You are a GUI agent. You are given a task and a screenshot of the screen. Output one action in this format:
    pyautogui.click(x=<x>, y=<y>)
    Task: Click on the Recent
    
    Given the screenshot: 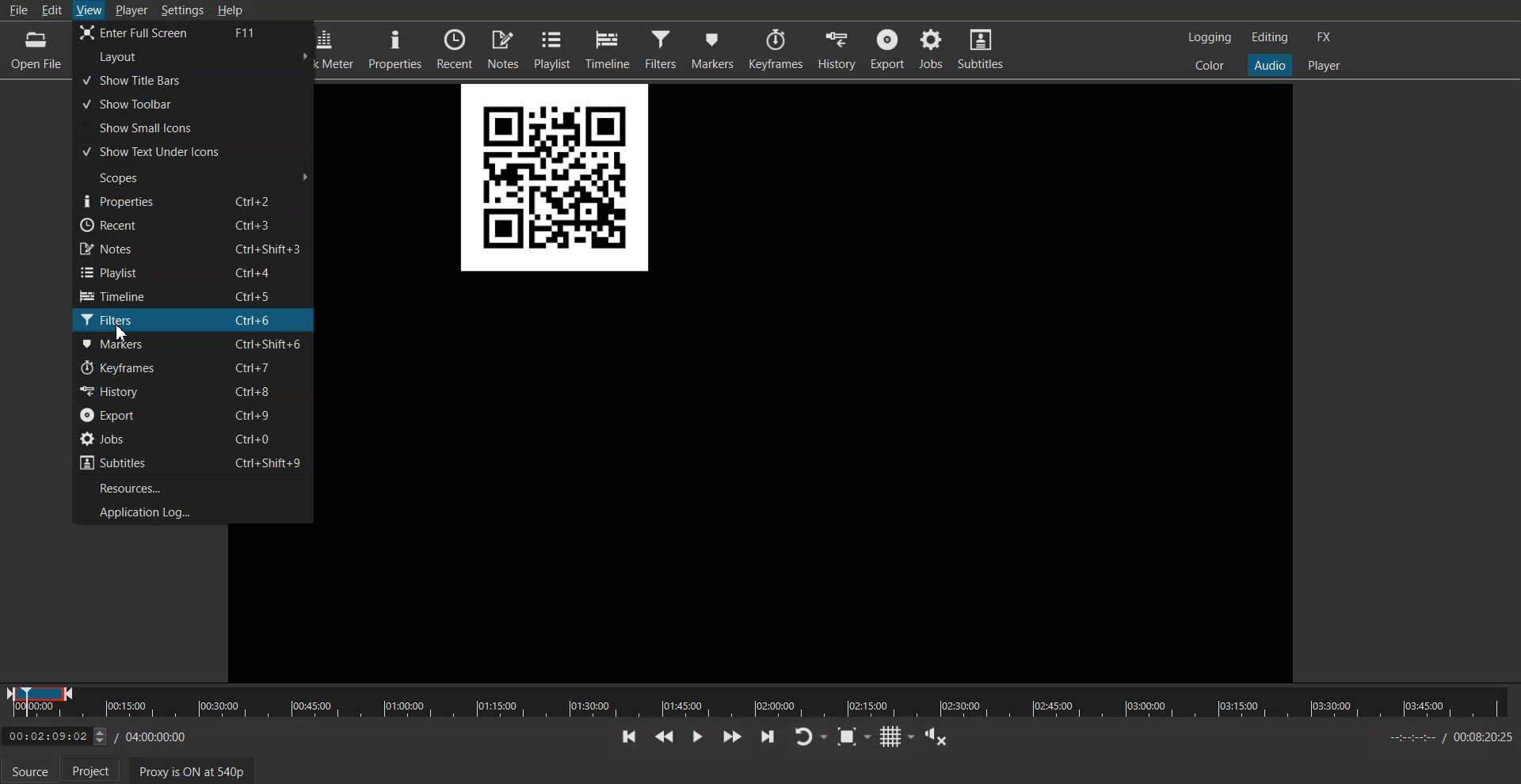 What is the action you would take?
    pyautogui.click(x=456, y=48)
    